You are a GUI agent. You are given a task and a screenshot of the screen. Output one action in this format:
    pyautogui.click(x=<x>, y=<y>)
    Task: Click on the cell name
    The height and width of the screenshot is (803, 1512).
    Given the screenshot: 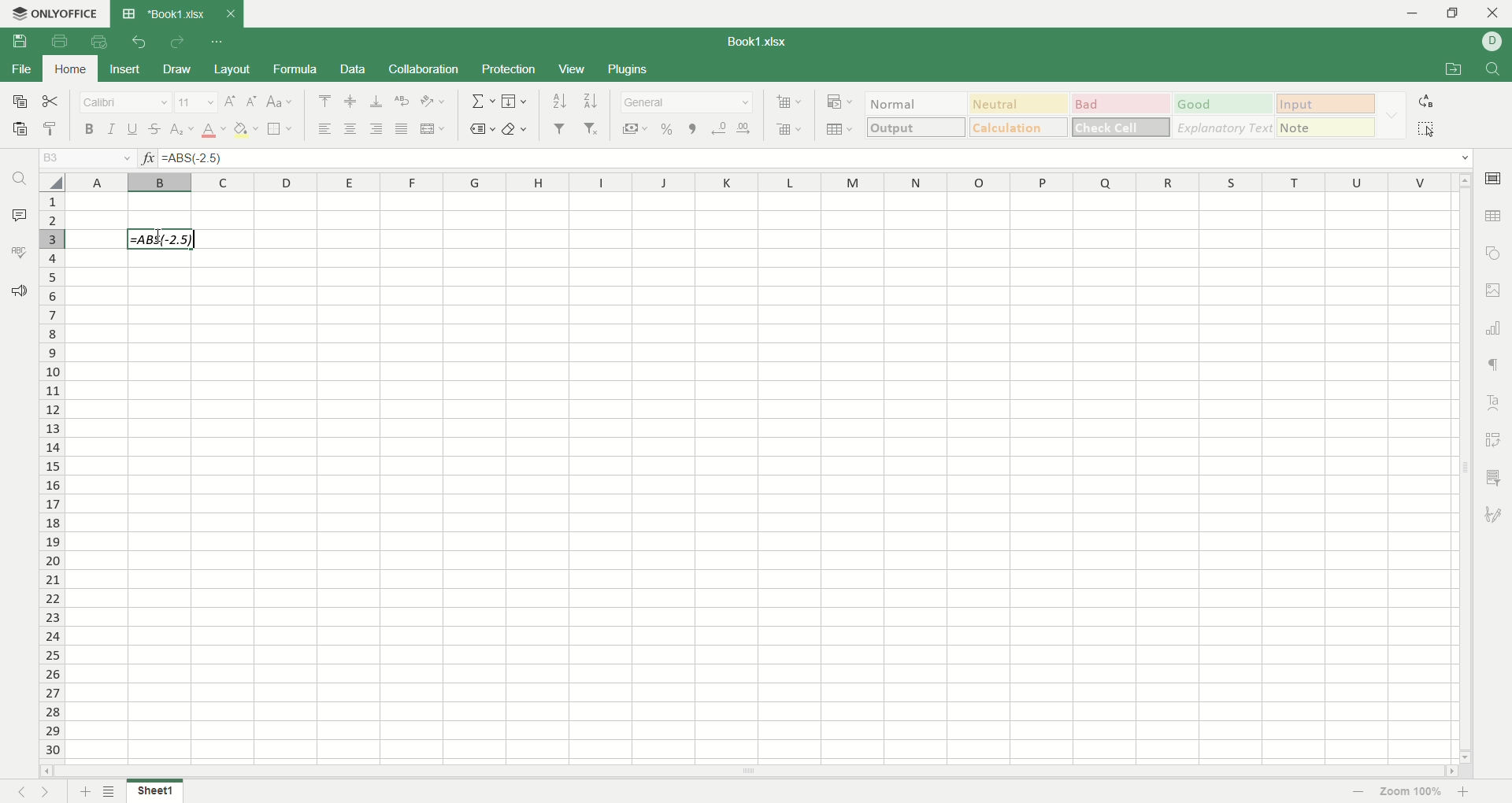 What is the action you would take?
    pyautogui.click(x=88, y=158)
    